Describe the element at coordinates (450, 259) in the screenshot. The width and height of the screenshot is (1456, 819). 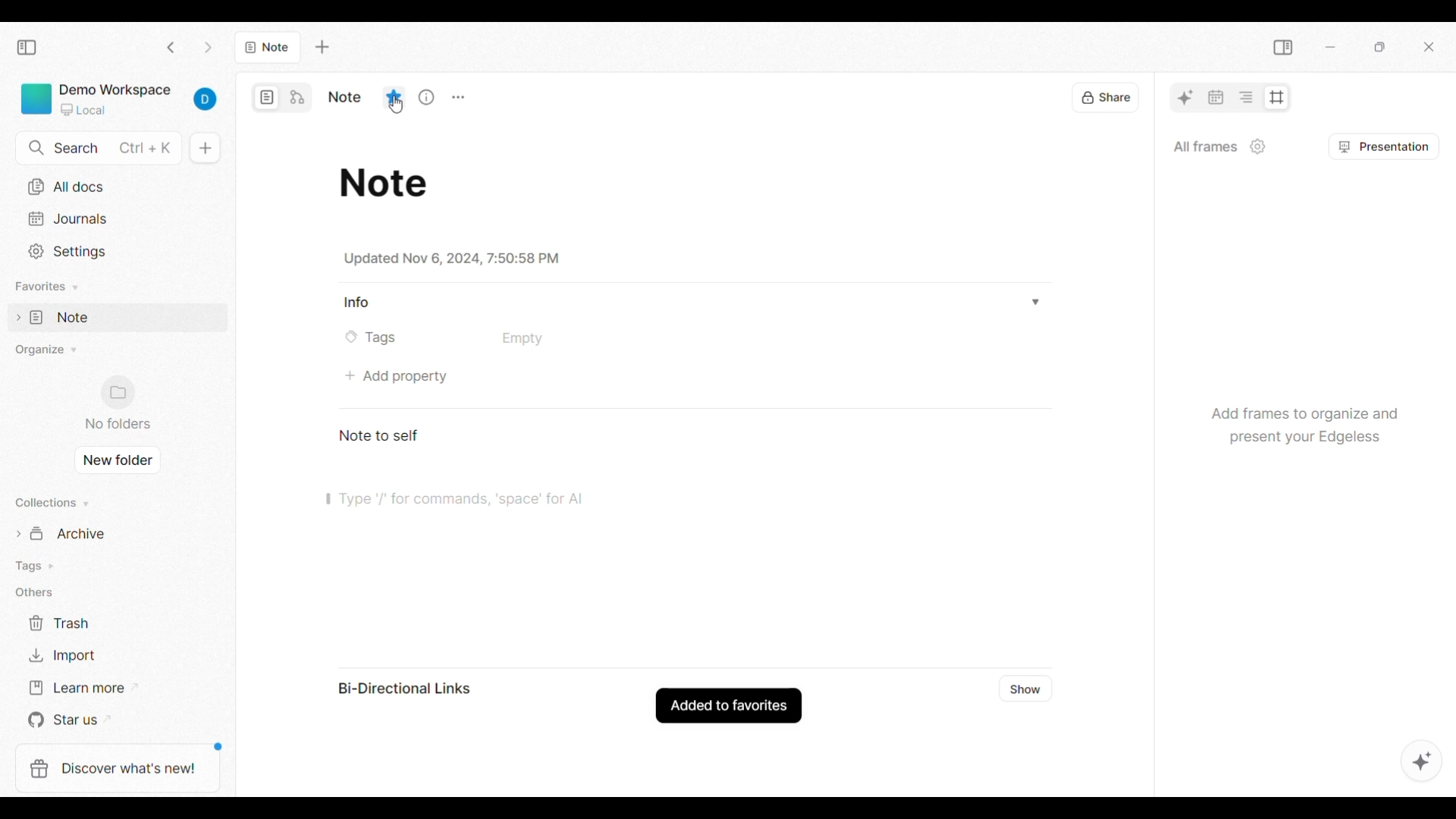
I see `Updated Nov 6, 2024, 7:50:58 PM` at that location.